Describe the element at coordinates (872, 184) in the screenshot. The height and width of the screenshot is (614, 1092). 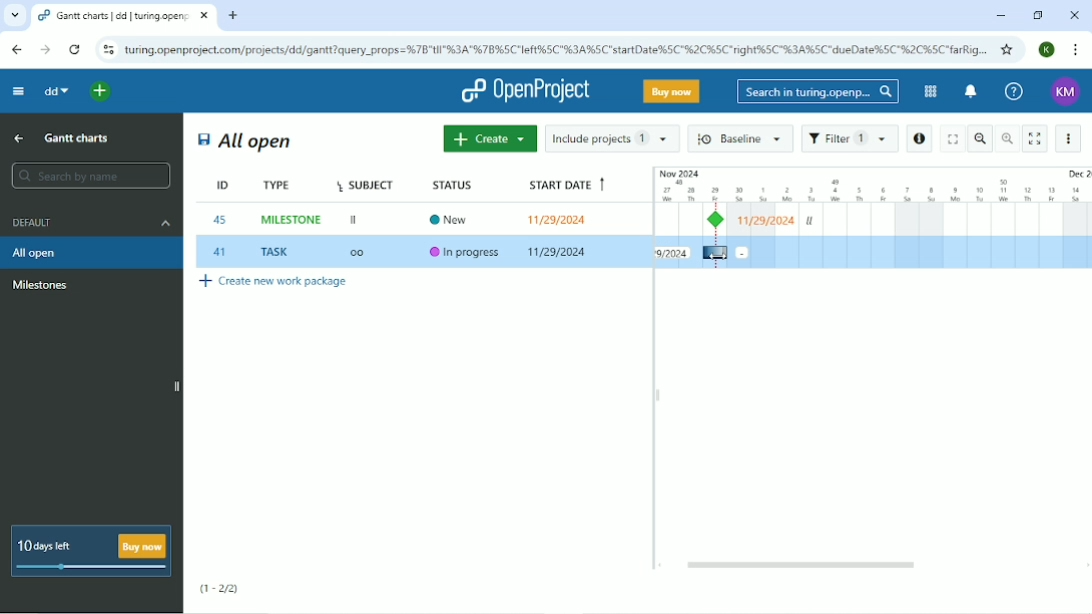
I see `Duration` at that location.